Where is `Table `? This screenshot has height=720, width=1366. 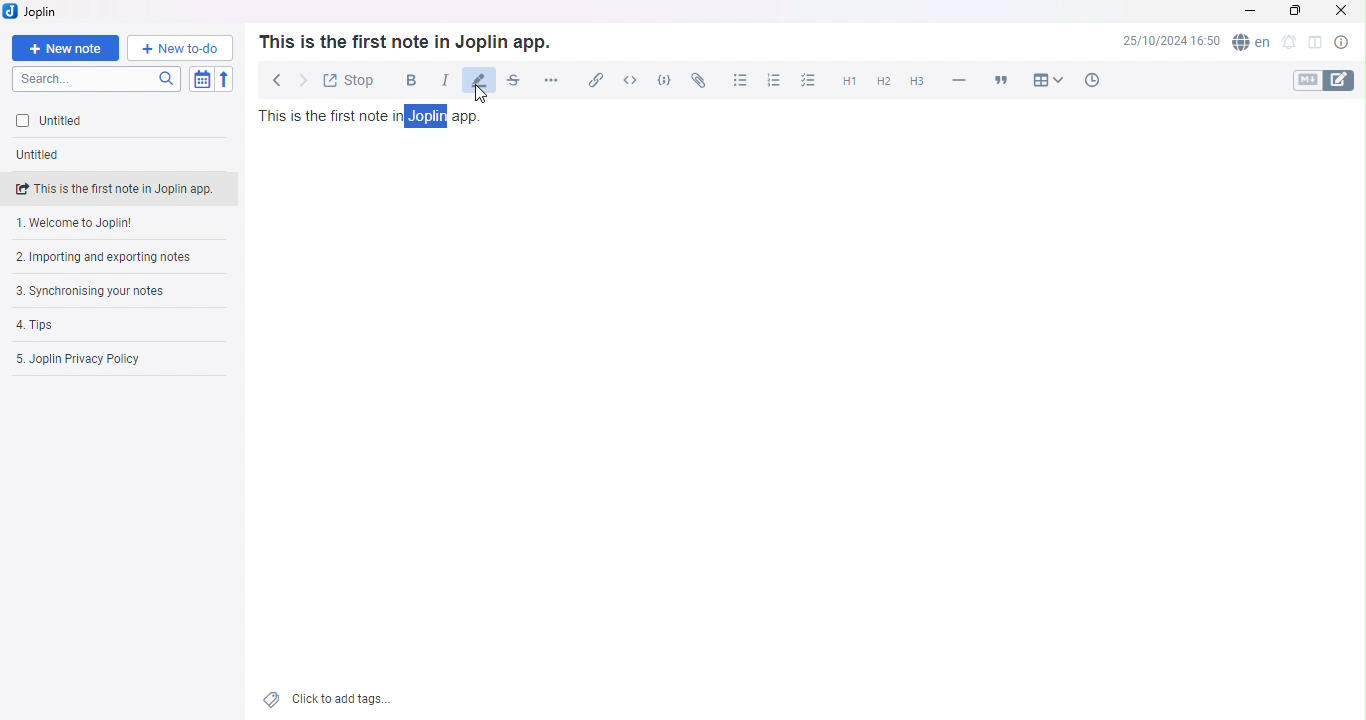 Table  is located at coordinates (1048, 78).